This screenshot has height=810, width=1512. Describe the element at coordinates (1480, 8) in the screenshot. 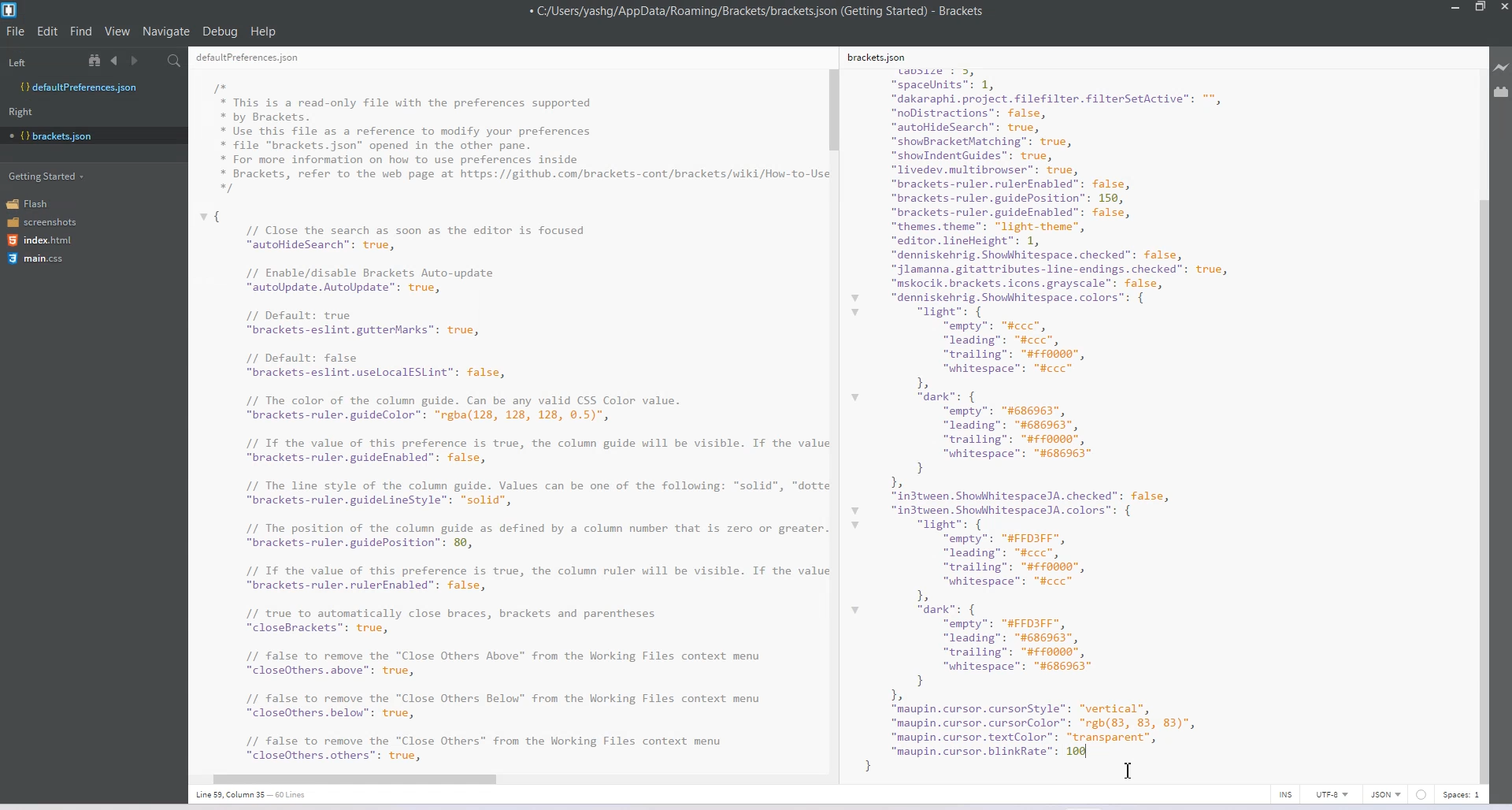

I see `Maximize` at that location.